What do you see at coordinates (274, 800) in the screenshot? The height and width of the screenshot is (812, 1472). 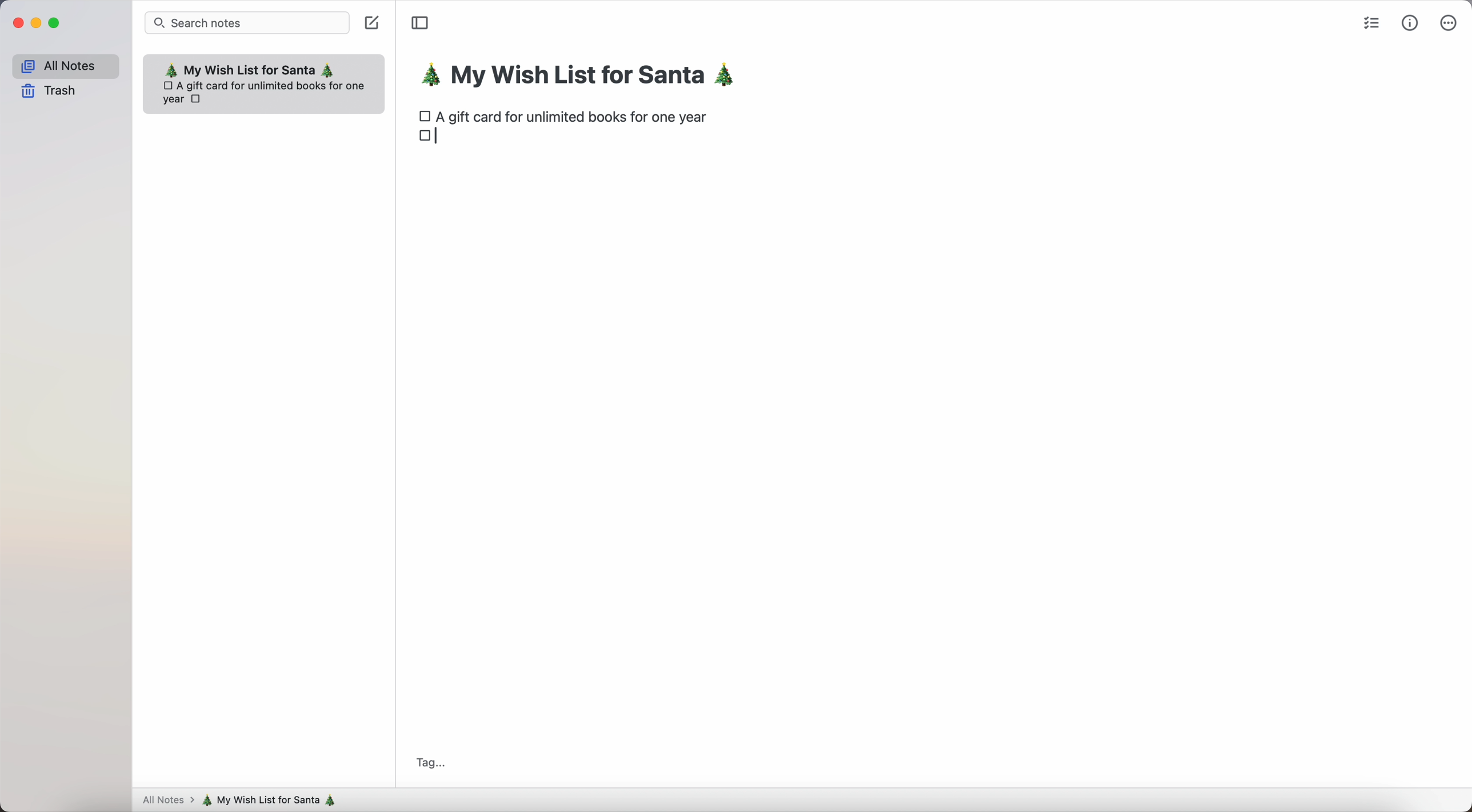 I see `my wish list for Santa` at bounding box center [274, 800].